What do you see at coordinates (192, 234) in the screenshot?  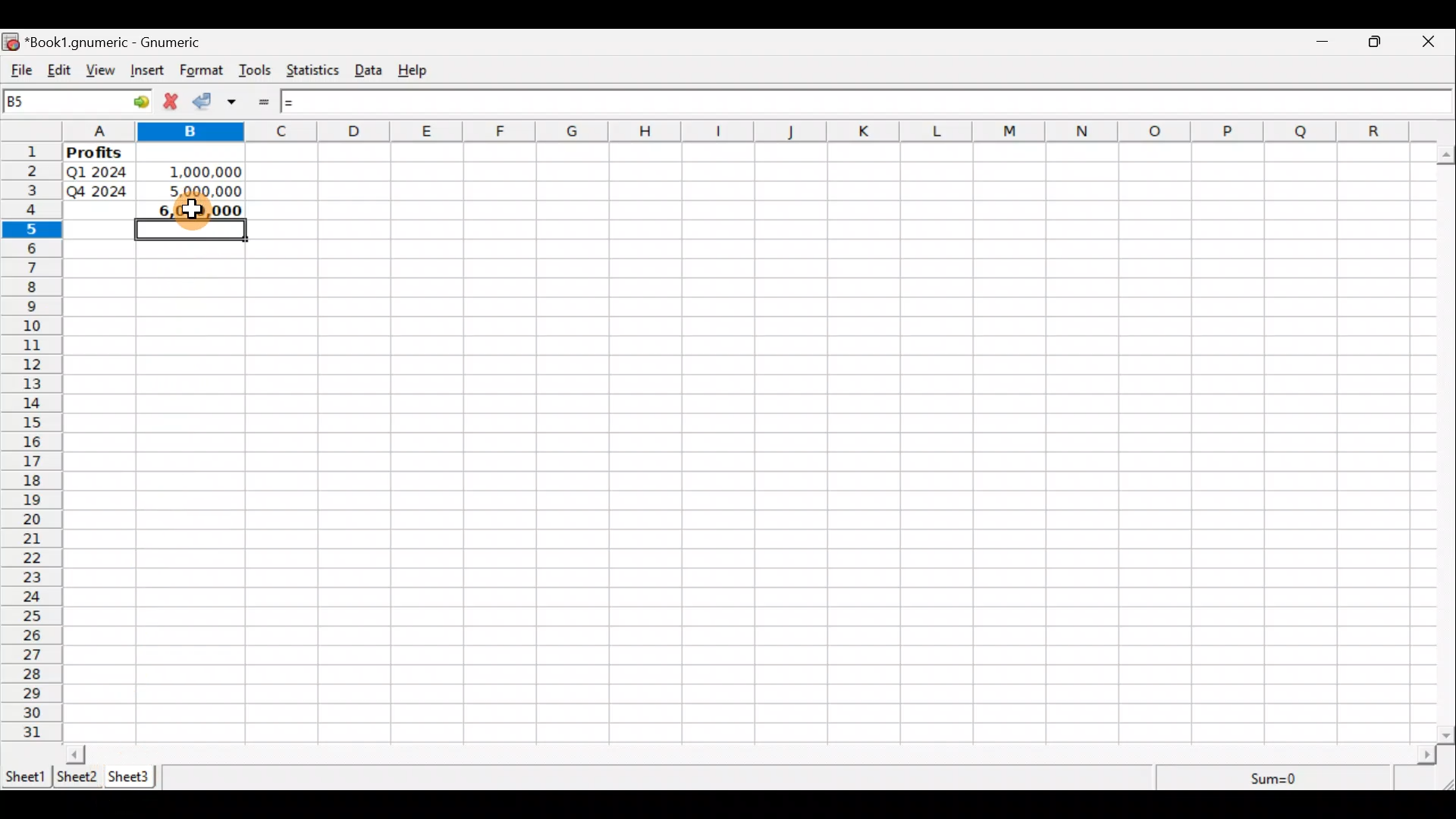 I see `Selected cell` at bounding box center [192, 234].